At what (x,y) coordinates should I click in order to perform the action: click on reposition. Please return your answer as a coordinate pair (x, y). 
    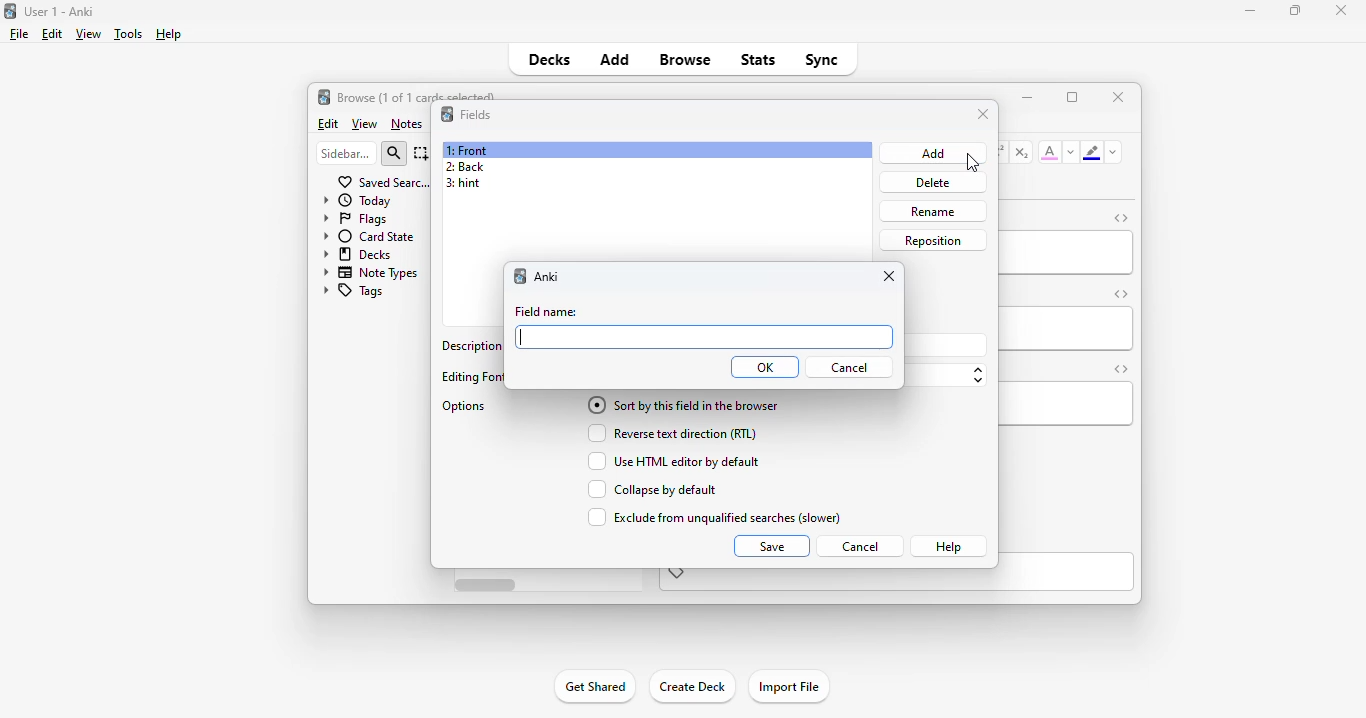
    Looking at the image, I should click on (934, 241).